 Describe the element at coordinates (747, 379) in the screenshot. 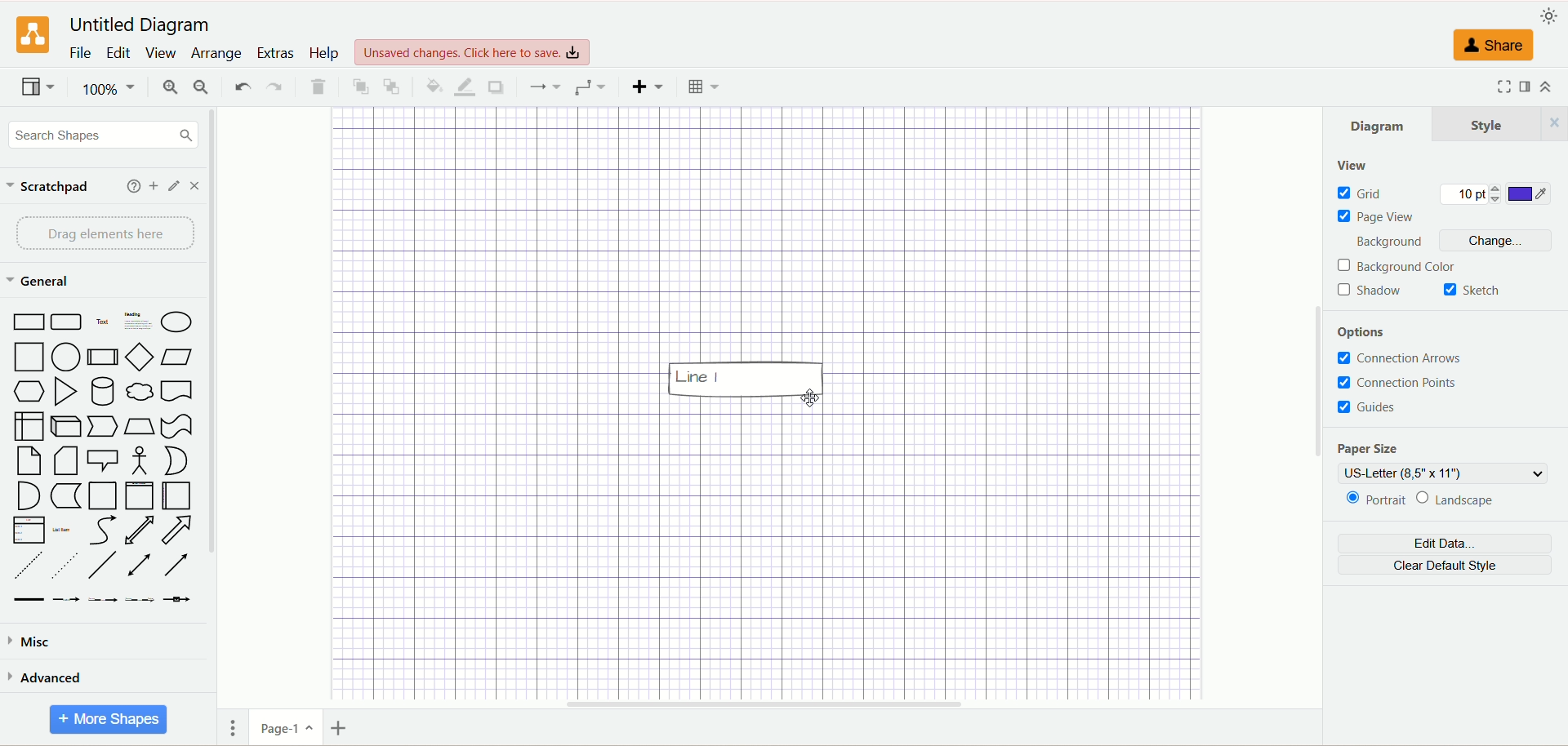

I see `` at that location.